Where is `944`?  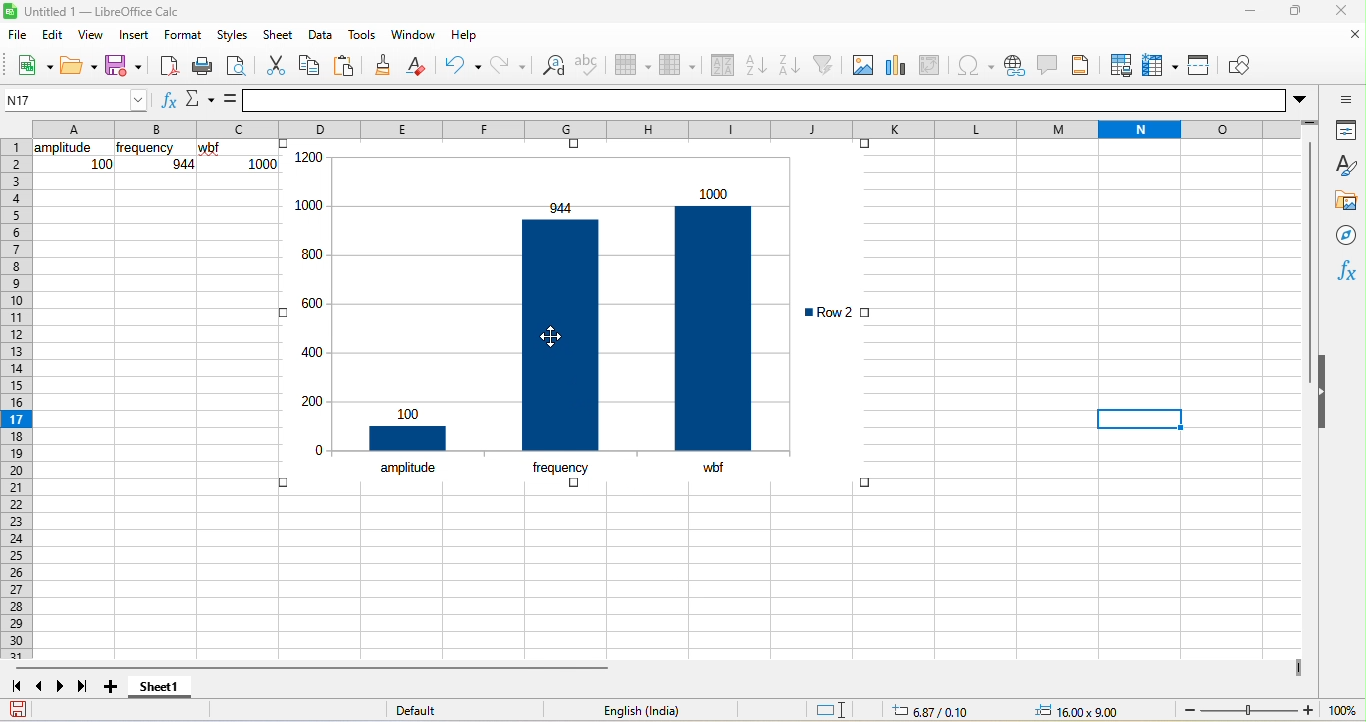
944 is located at coordinates (182, 164).